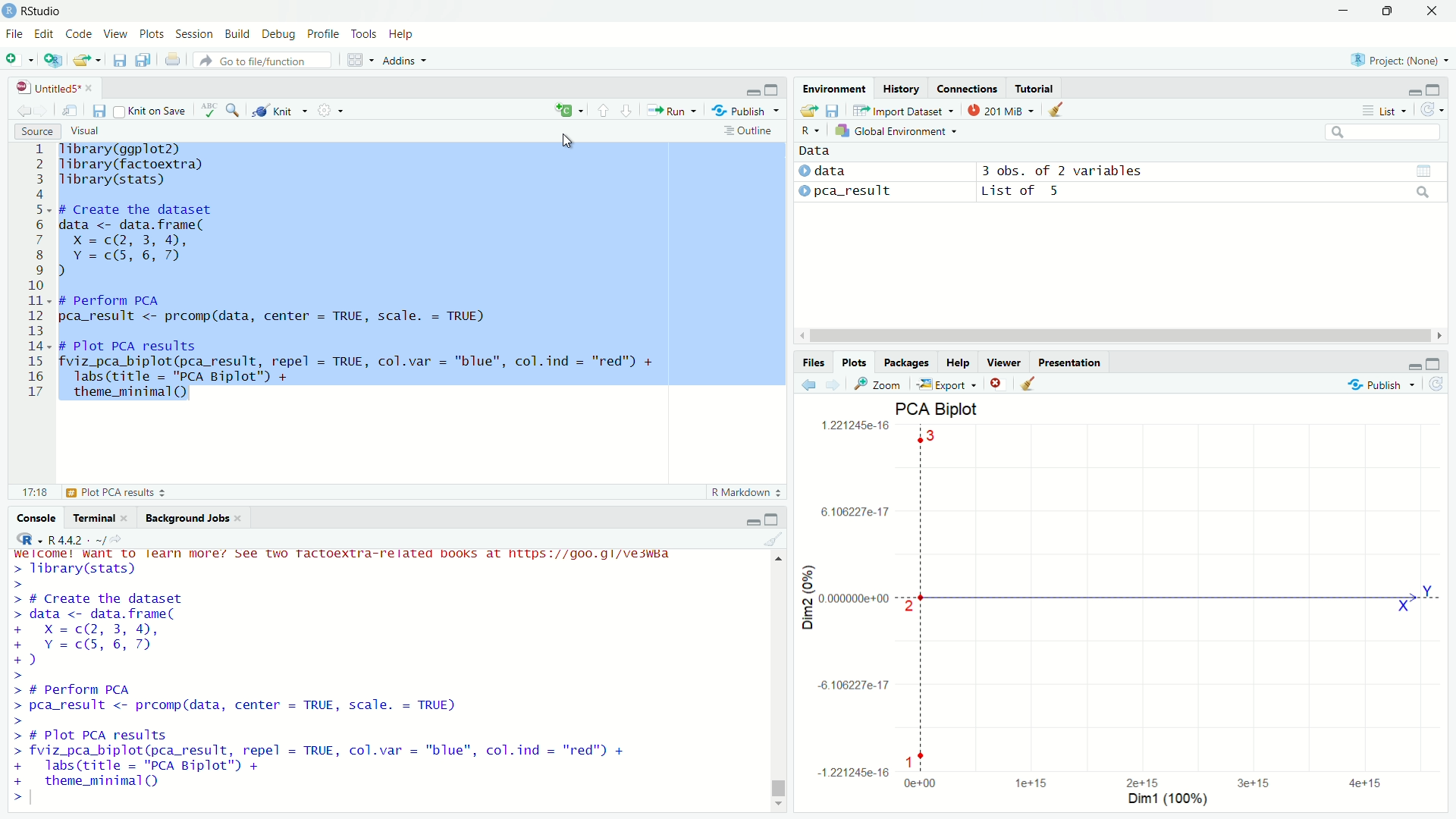  I want to click on View, so click(117, 35).